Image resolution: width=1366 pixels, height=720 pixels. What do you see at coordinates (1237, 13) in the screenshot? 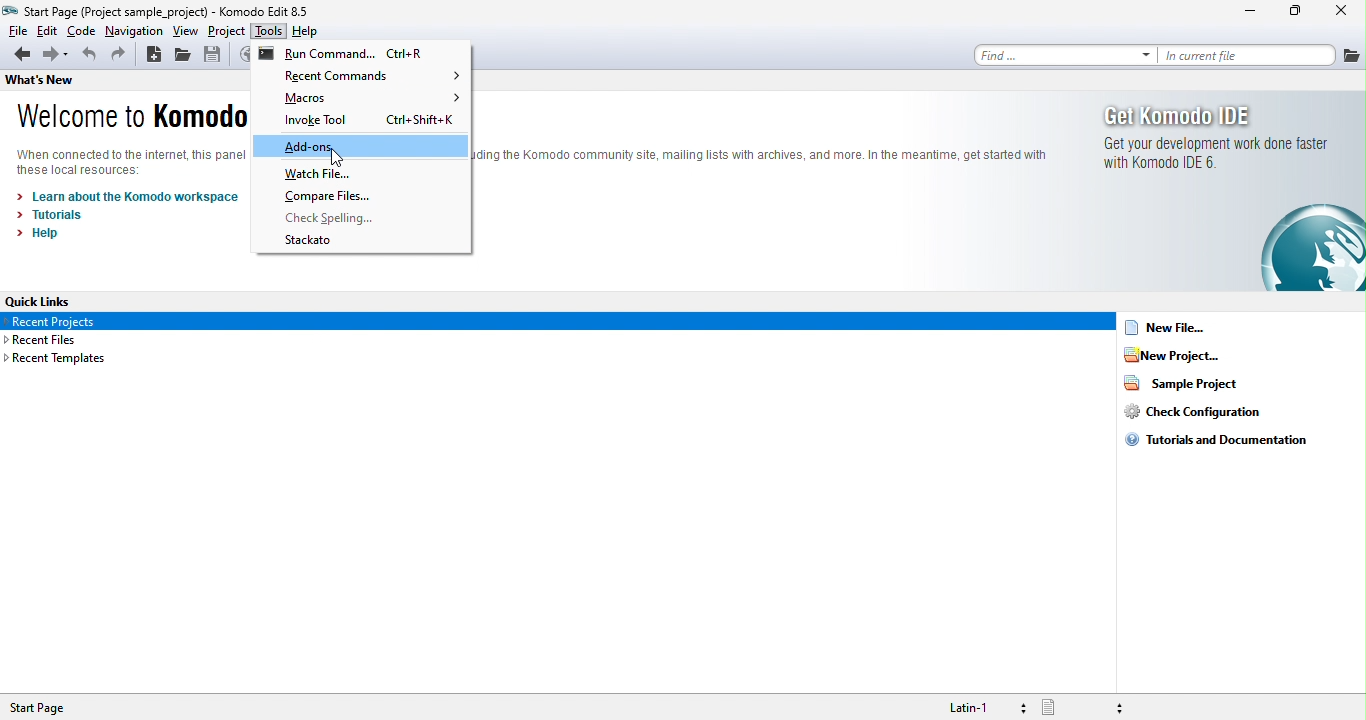
I see `minimize` at bounding box center [1237, 13].